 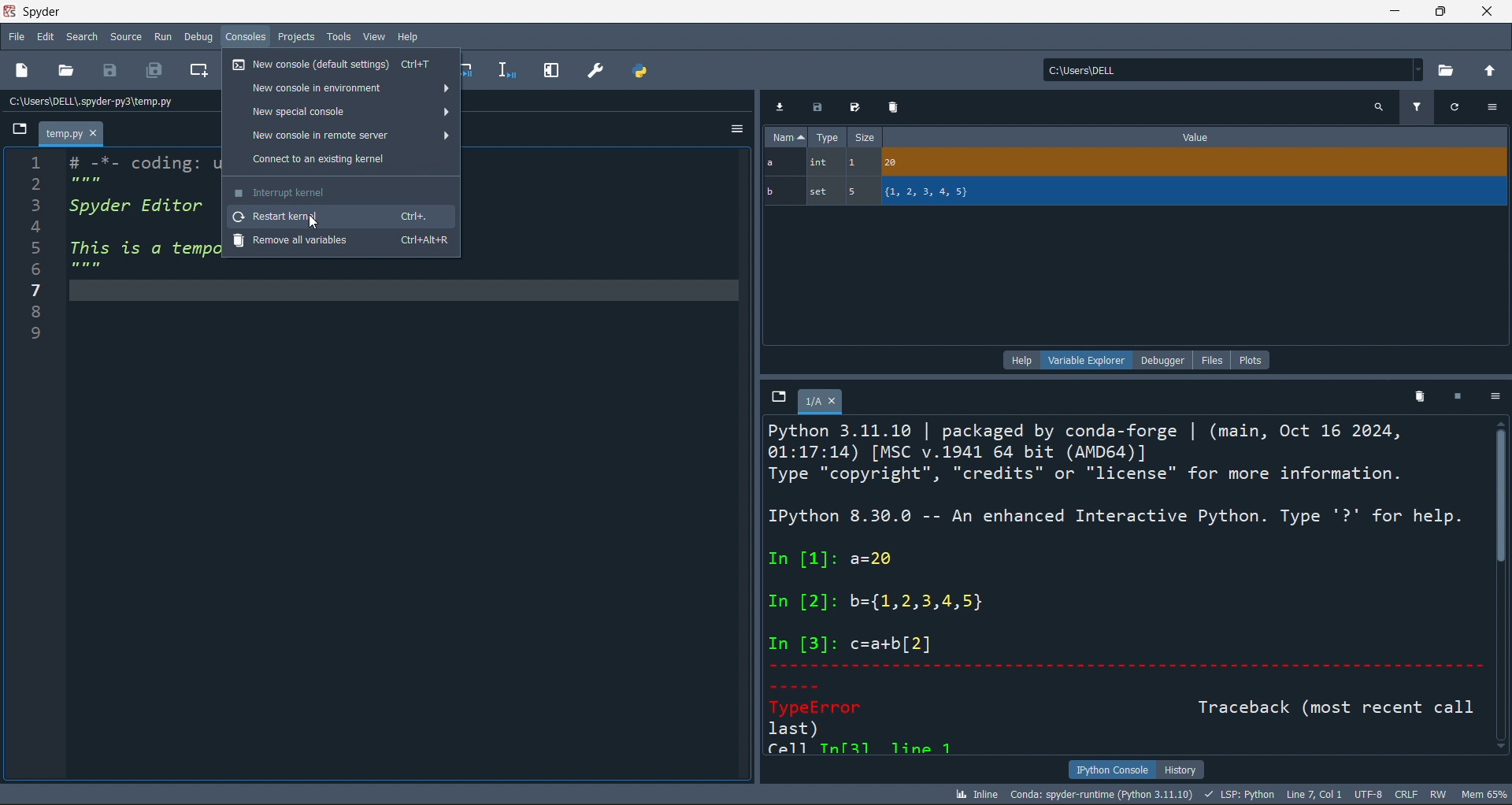 What do you see at coordinates (781, 106) in the screenshot?
I see `import ` at bounding box center [781, 106].